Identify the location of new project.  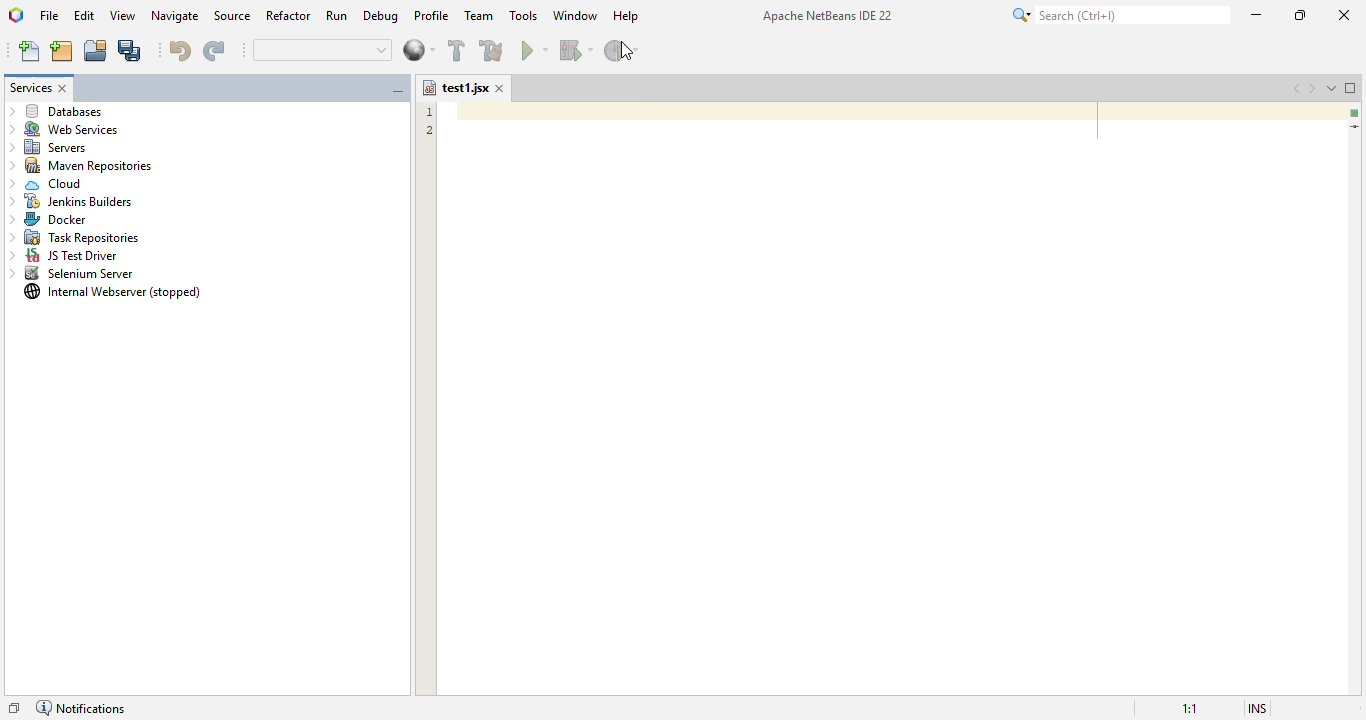
(61, 51).